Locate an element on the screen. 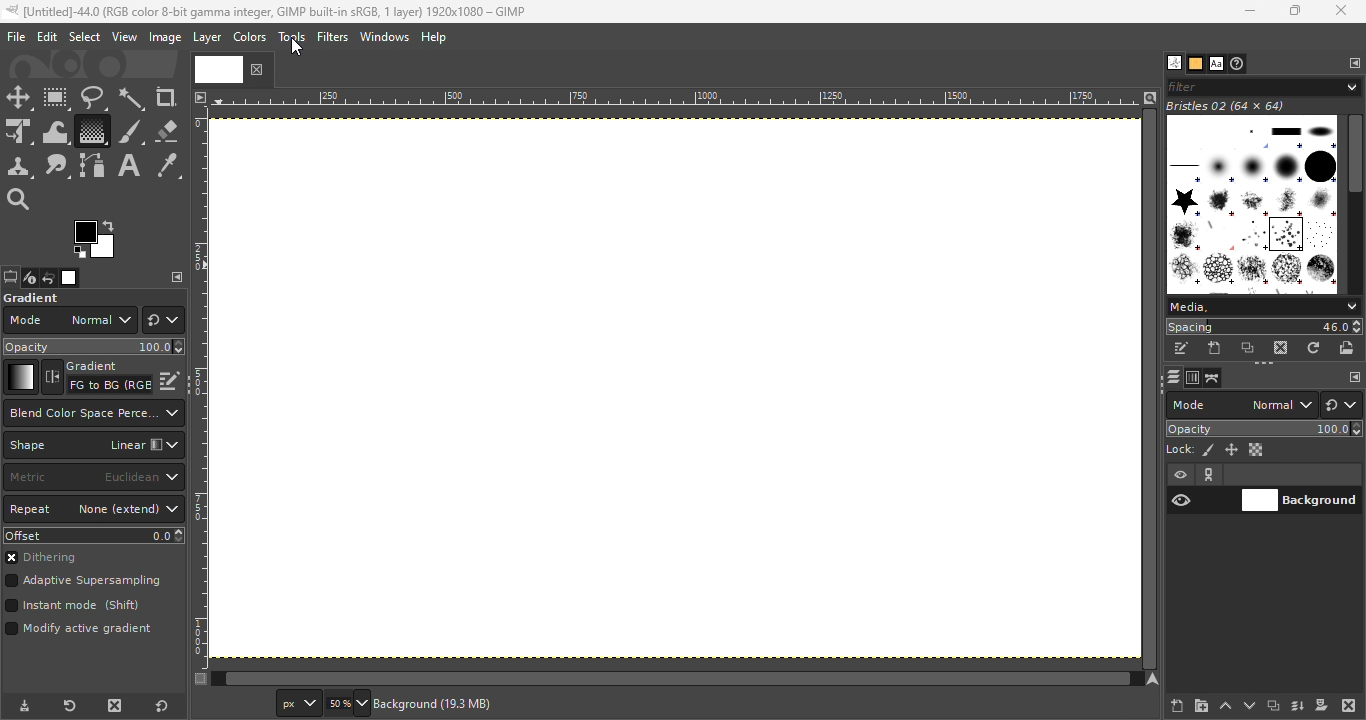  Save tool preset is located at coordinates (22, 707).